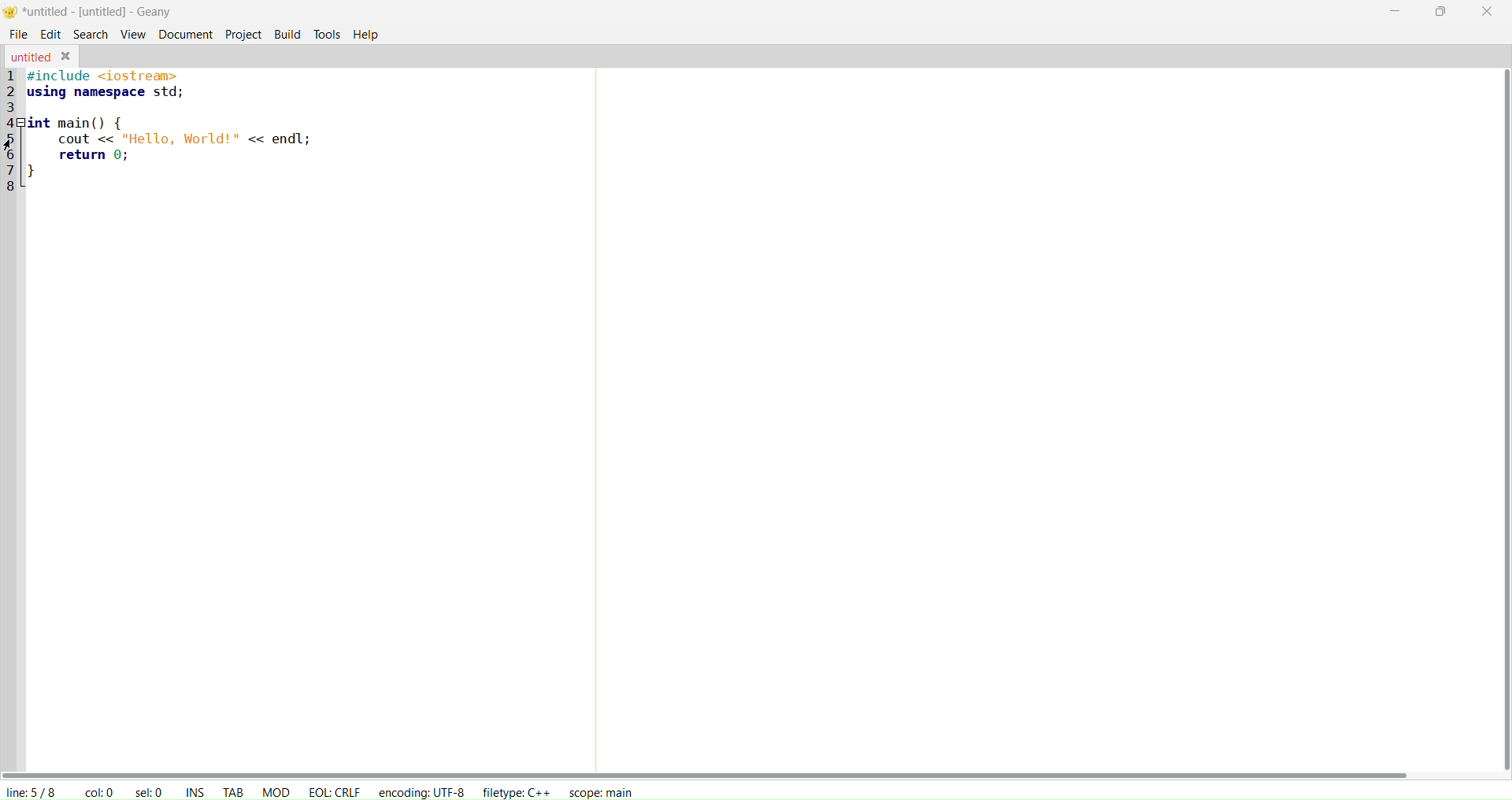 The width and height of the screenshot is (1512, 800). I want to click on mod, so click(276, 791).